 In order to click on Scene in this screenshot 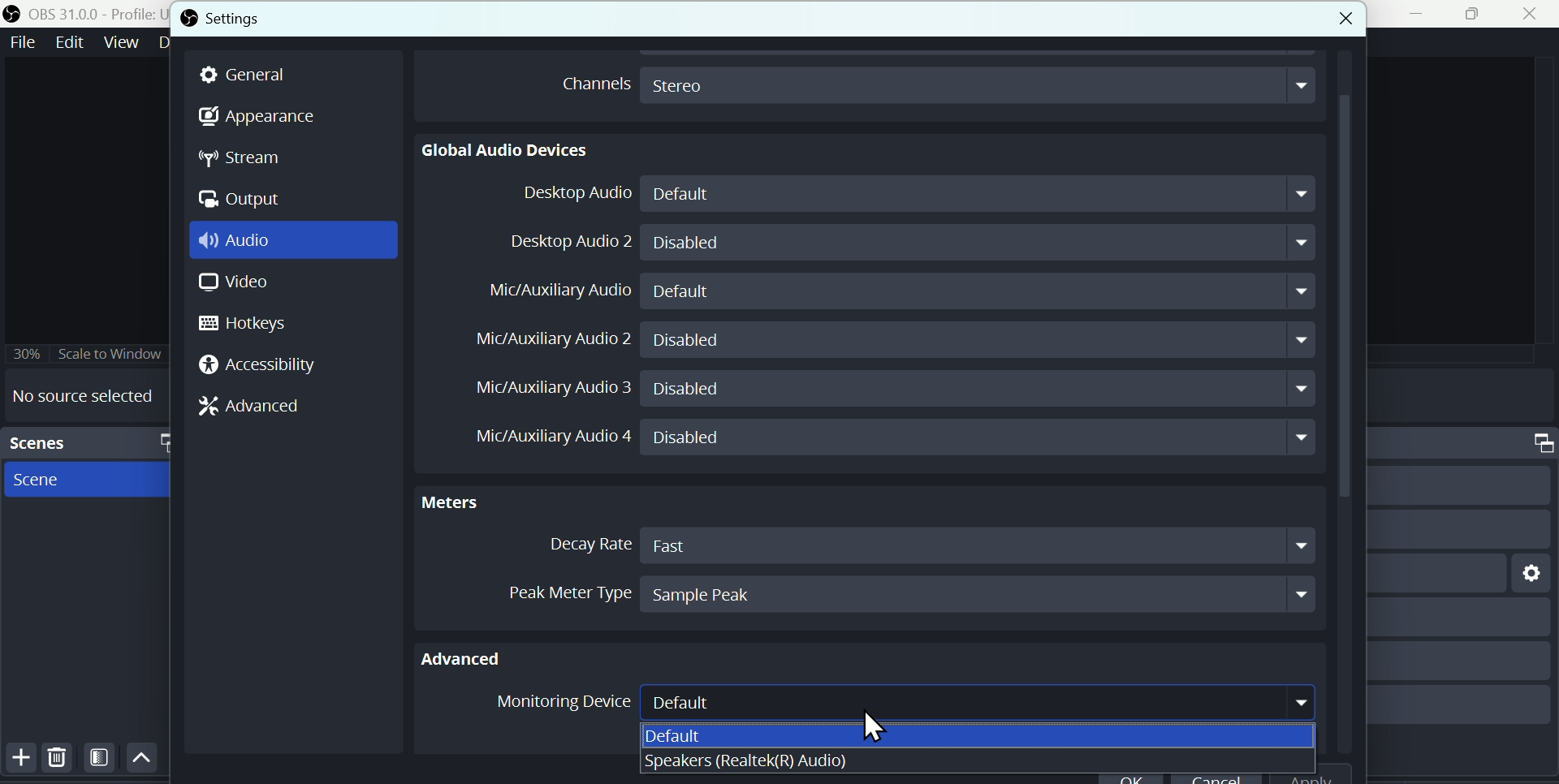, I will do `click(46, 482)`.